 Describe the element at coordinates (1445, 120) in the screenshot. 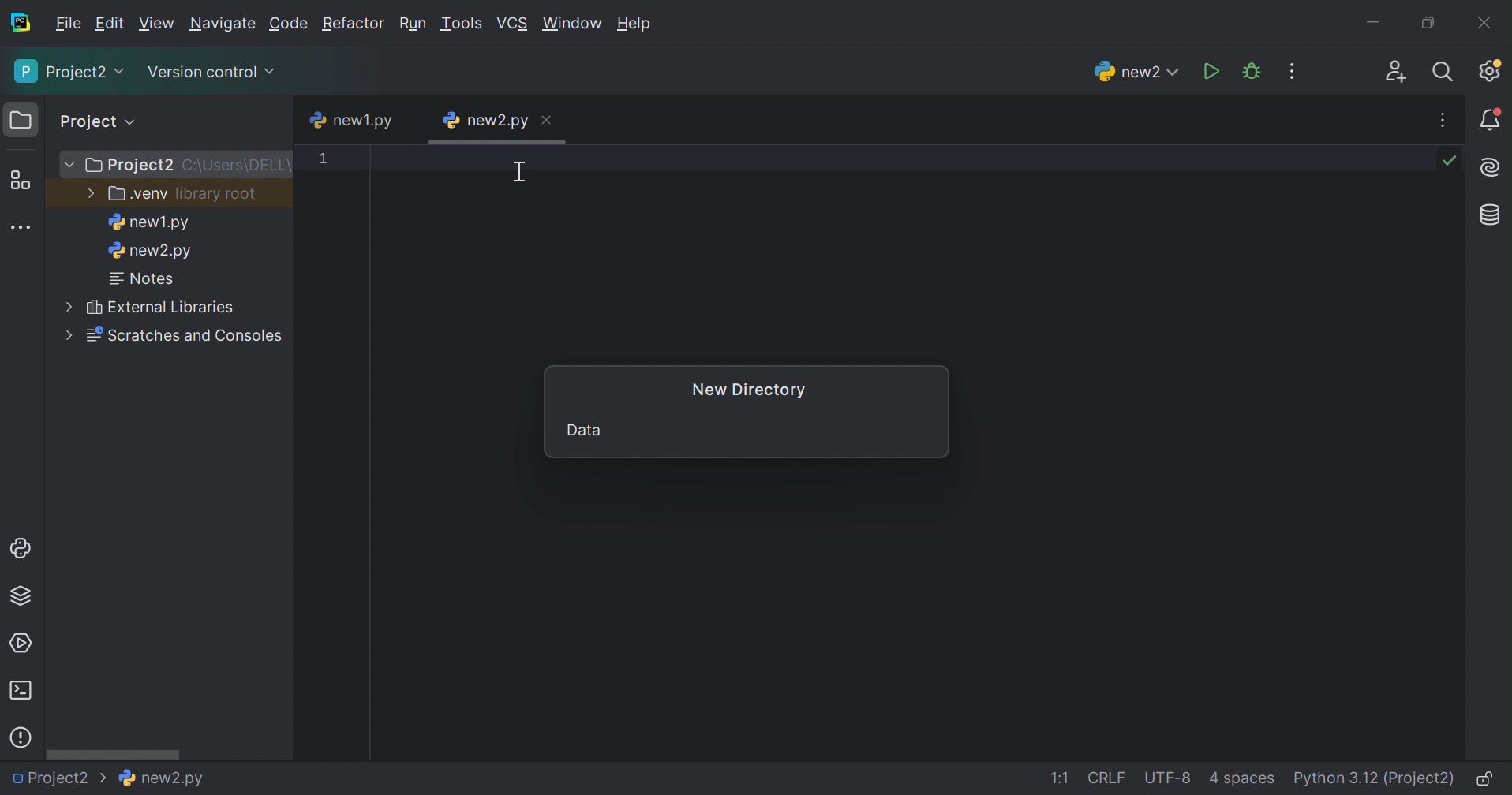

I see `Recent file, tab actions, and more` at that location.